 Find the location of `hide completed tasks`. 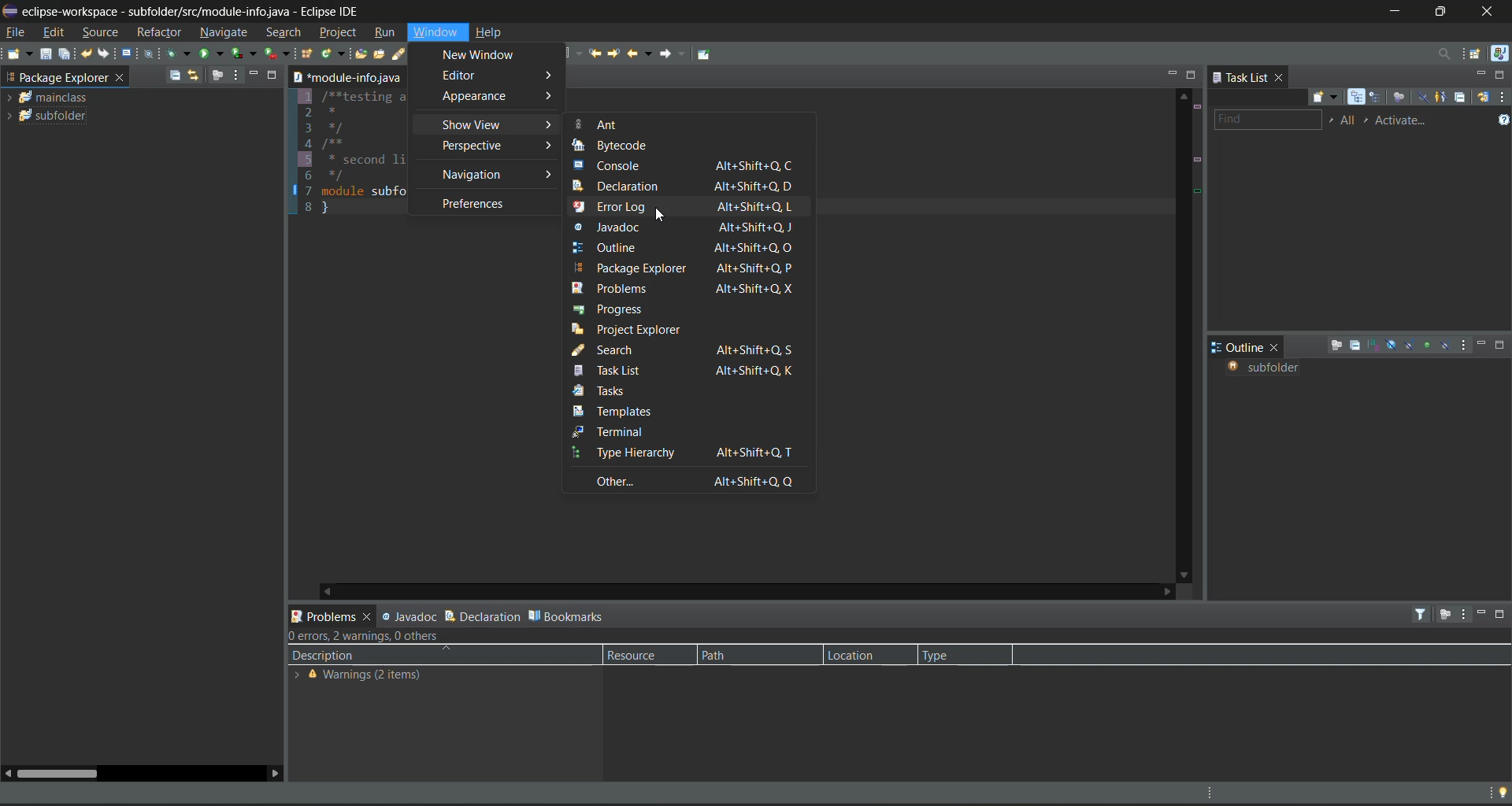

hide completed tasks is located at coordinates (1425, 98).